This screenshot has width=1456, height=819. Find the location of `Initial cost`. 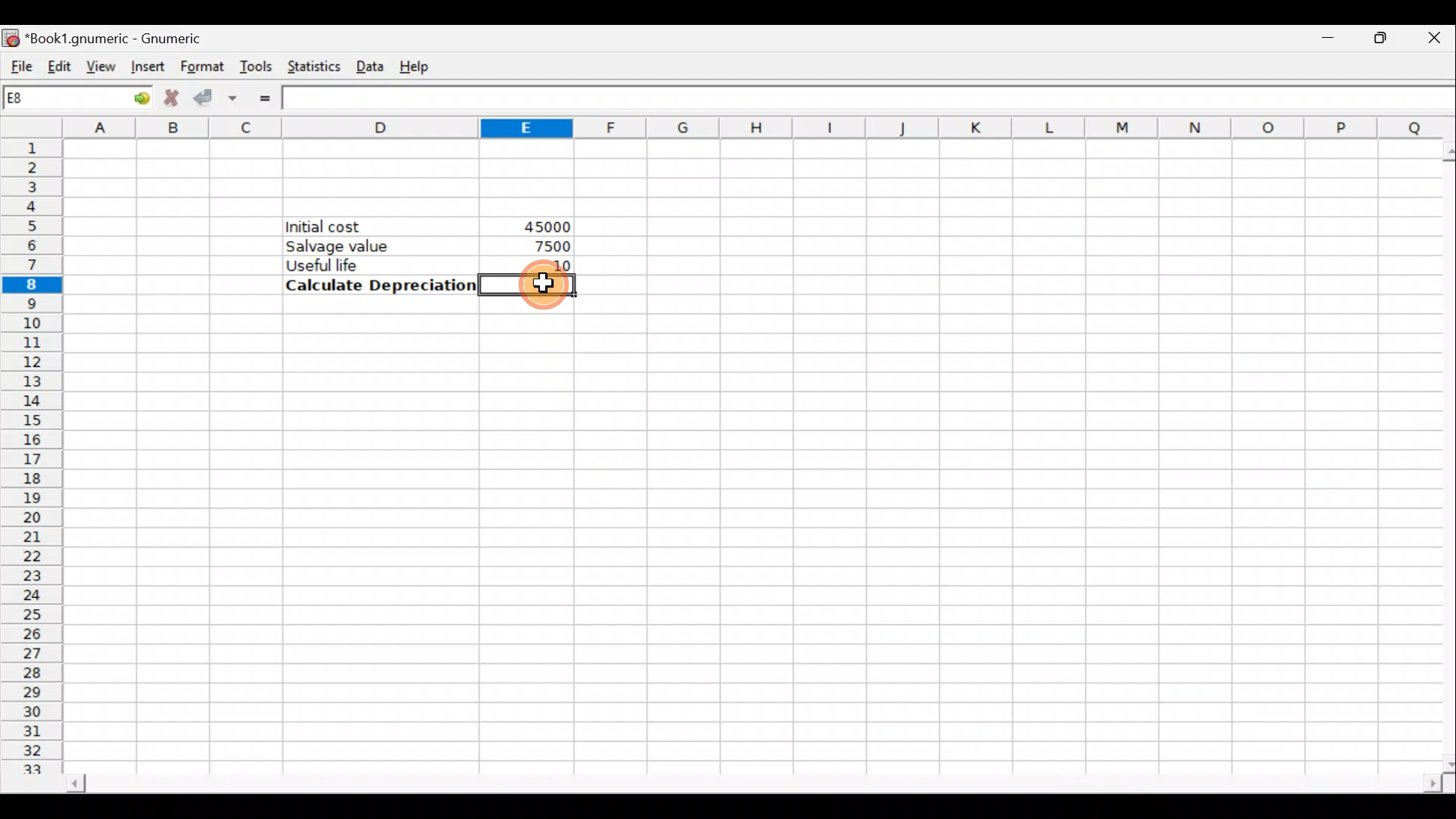

Initial cost is located at coordinates (382, 227).